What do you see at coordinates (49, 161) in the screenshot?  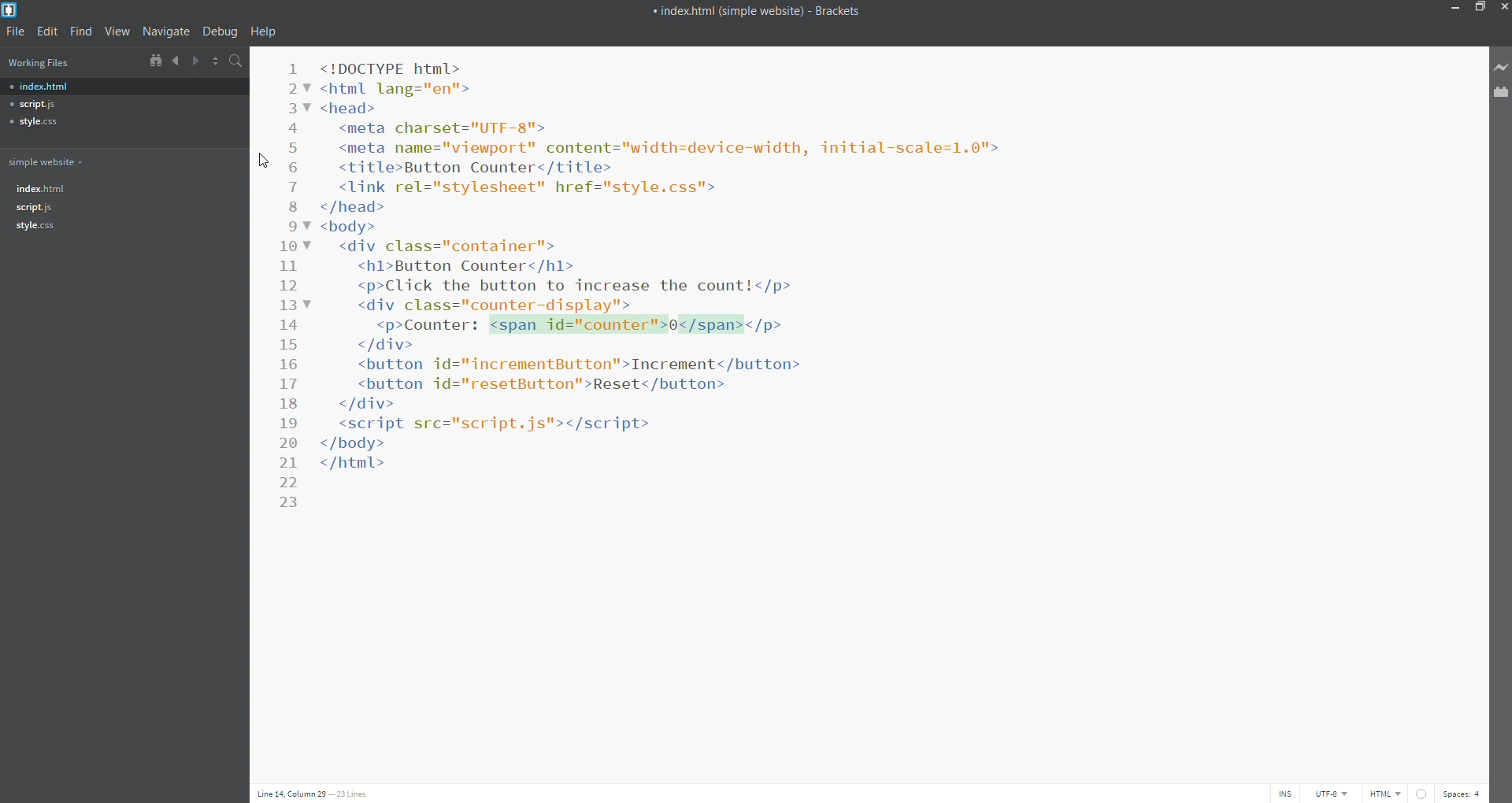 I see `simple website` at bounding box center [49, 161].